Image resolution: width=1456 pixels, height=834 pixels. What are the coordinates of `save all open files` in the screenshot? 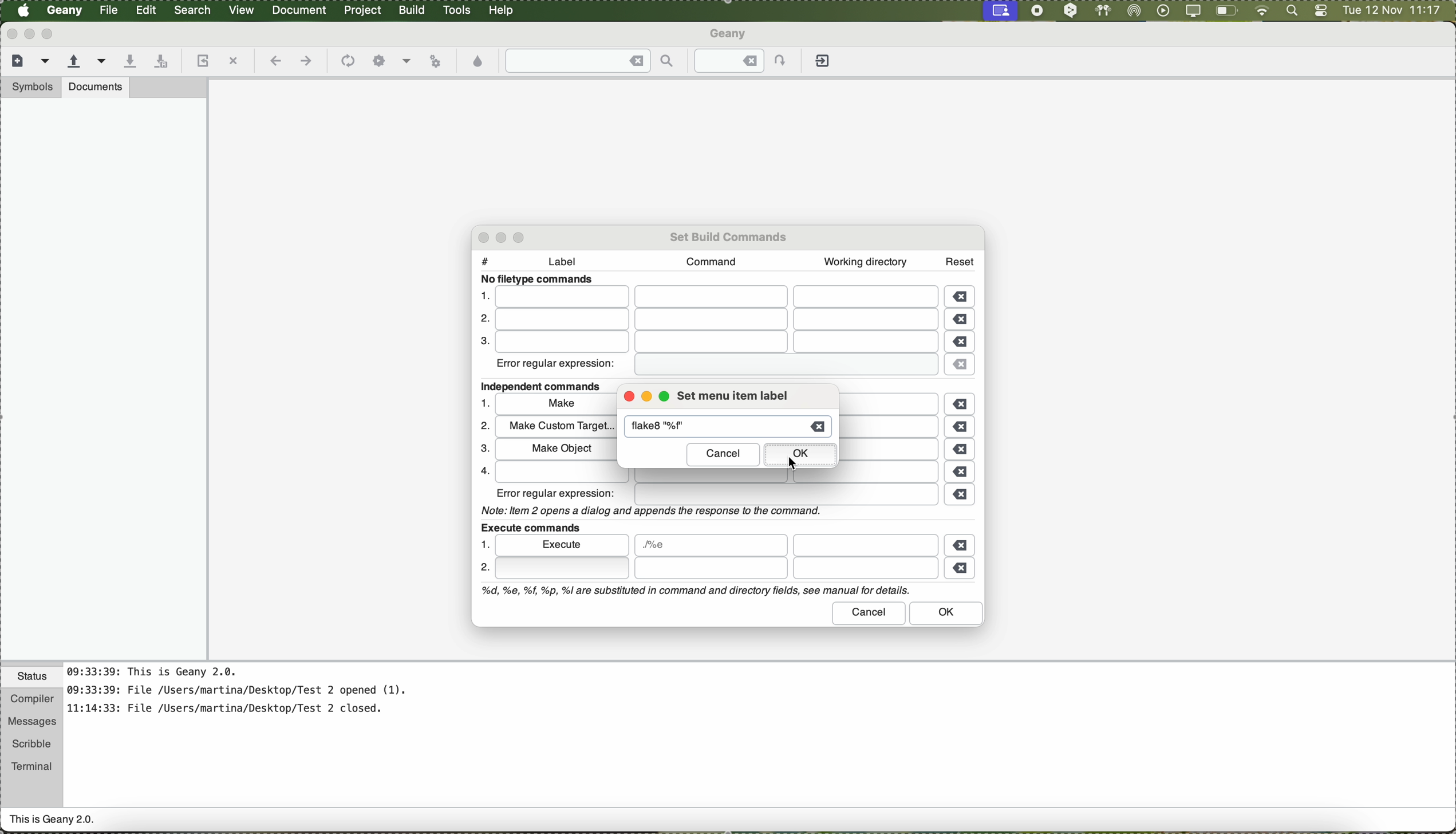 It's located at (159, 62).